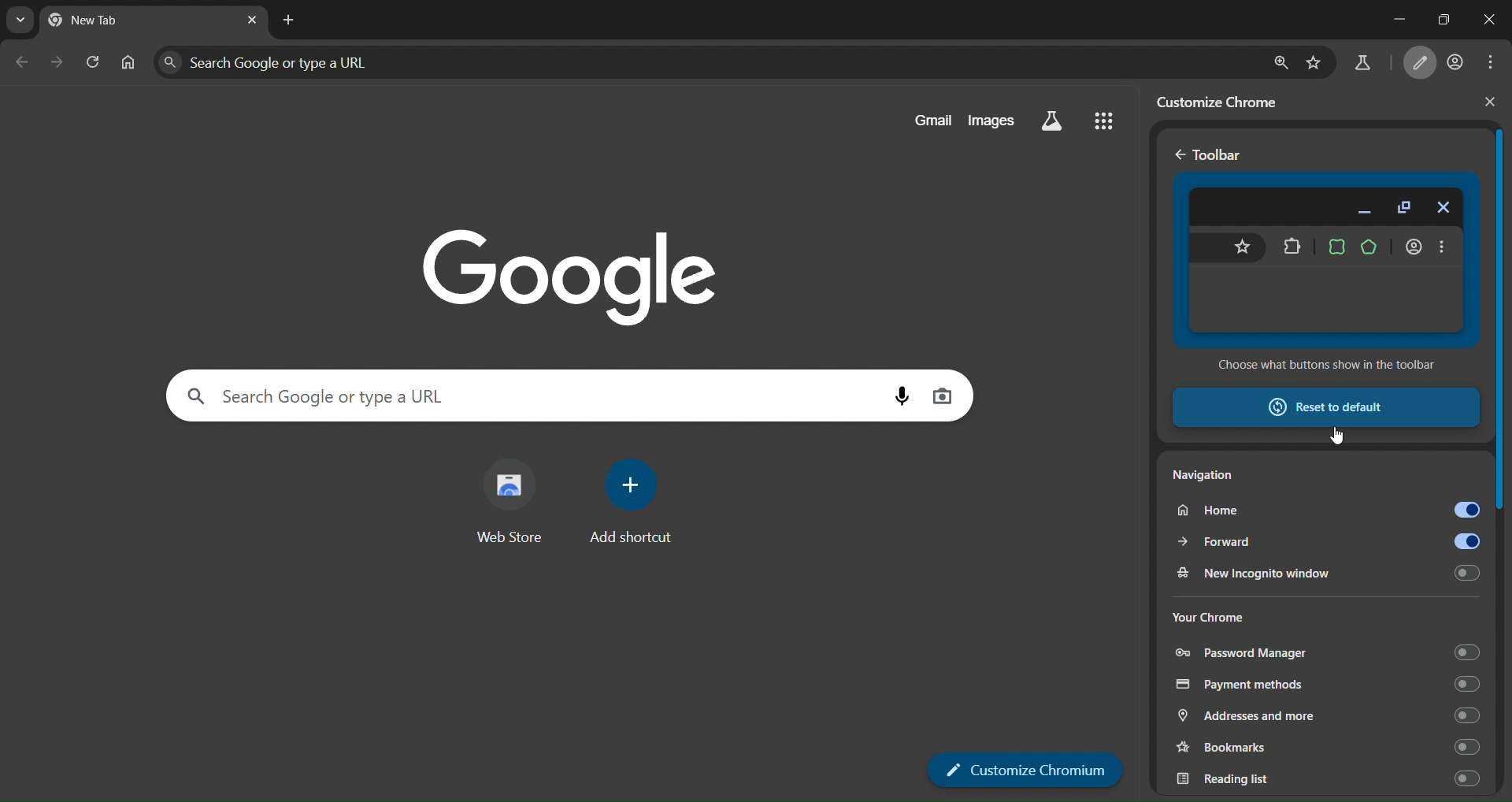 The height and width of the screenshot is (802, 1512). What do you see at coordinates (1325, 776) in the screenshot?
I see `reading list` at bounding box center [1325, 776].